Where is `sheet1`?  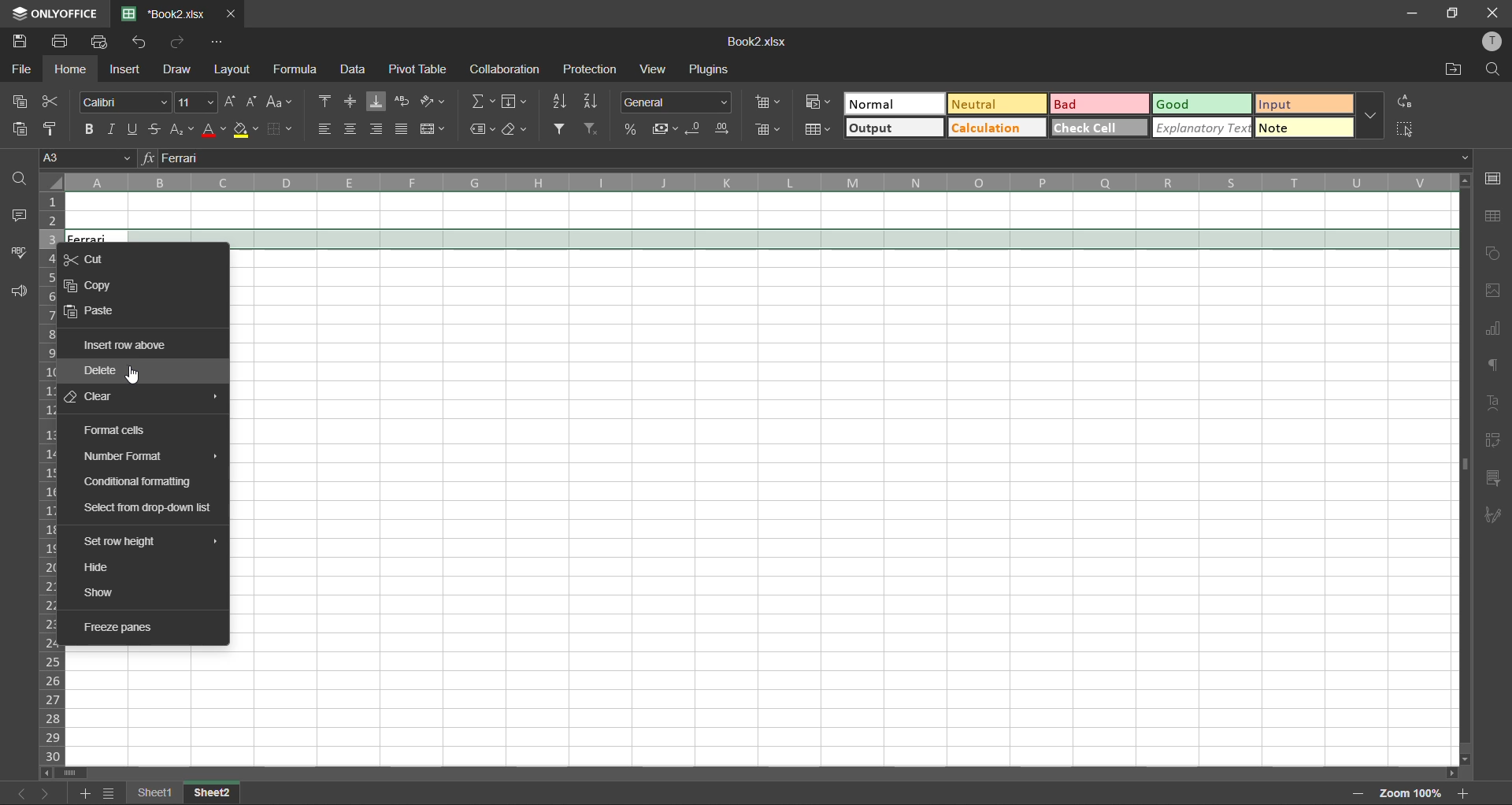 sheet1 is located at coordinates (158, 791).